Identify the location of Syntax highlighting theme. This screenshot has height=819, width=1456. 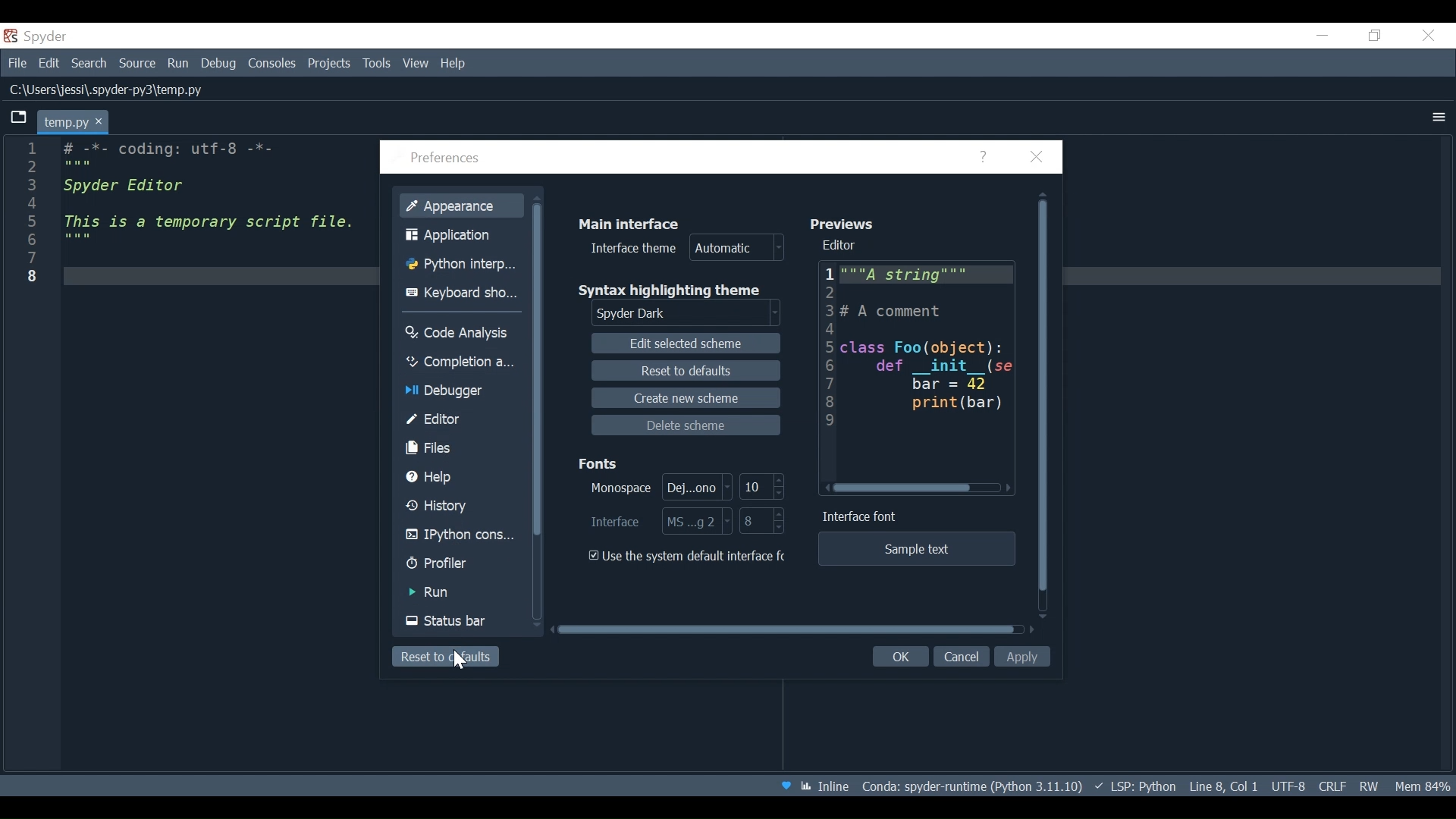
(679, 290).